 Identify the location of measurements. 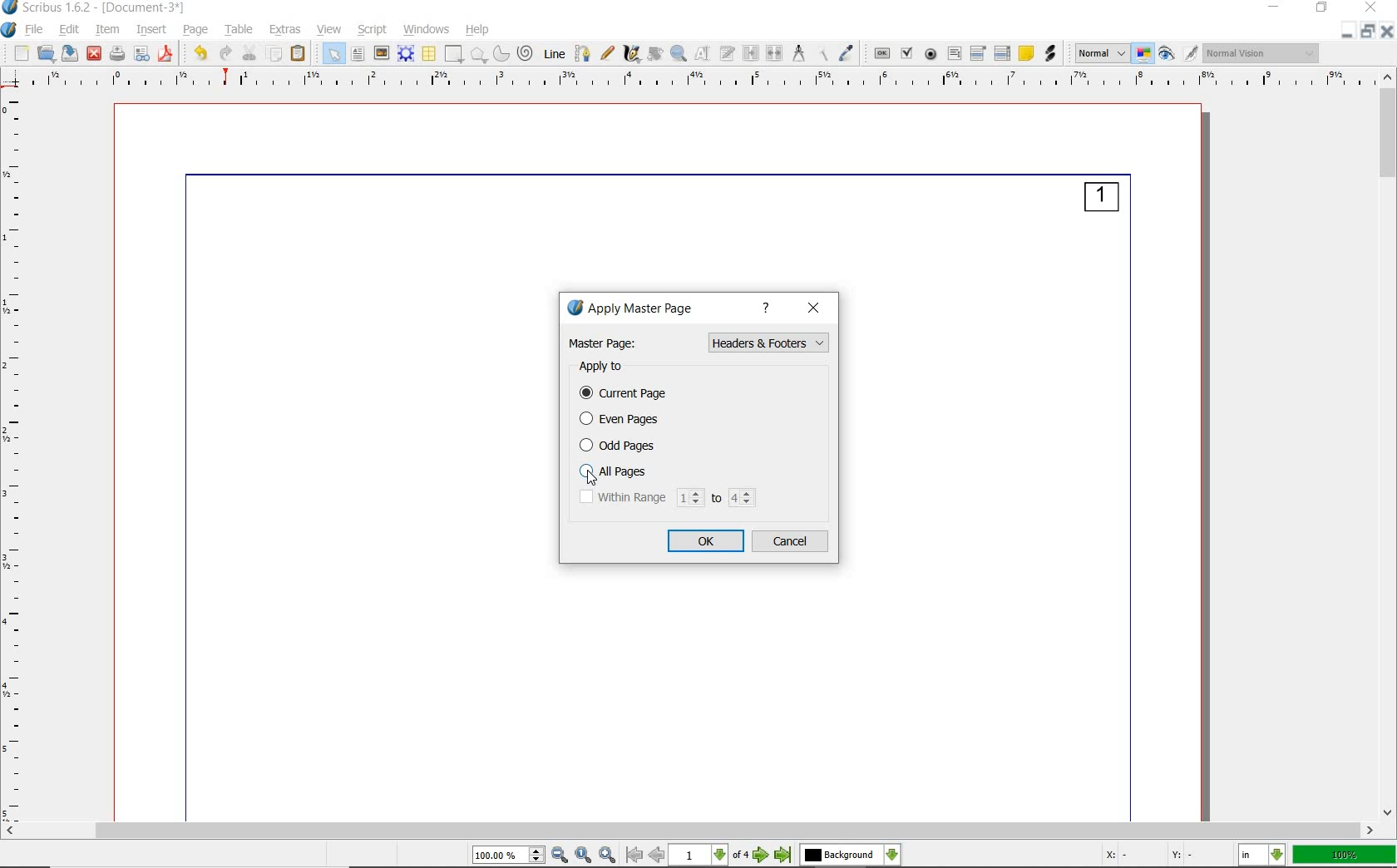
(798, 54).